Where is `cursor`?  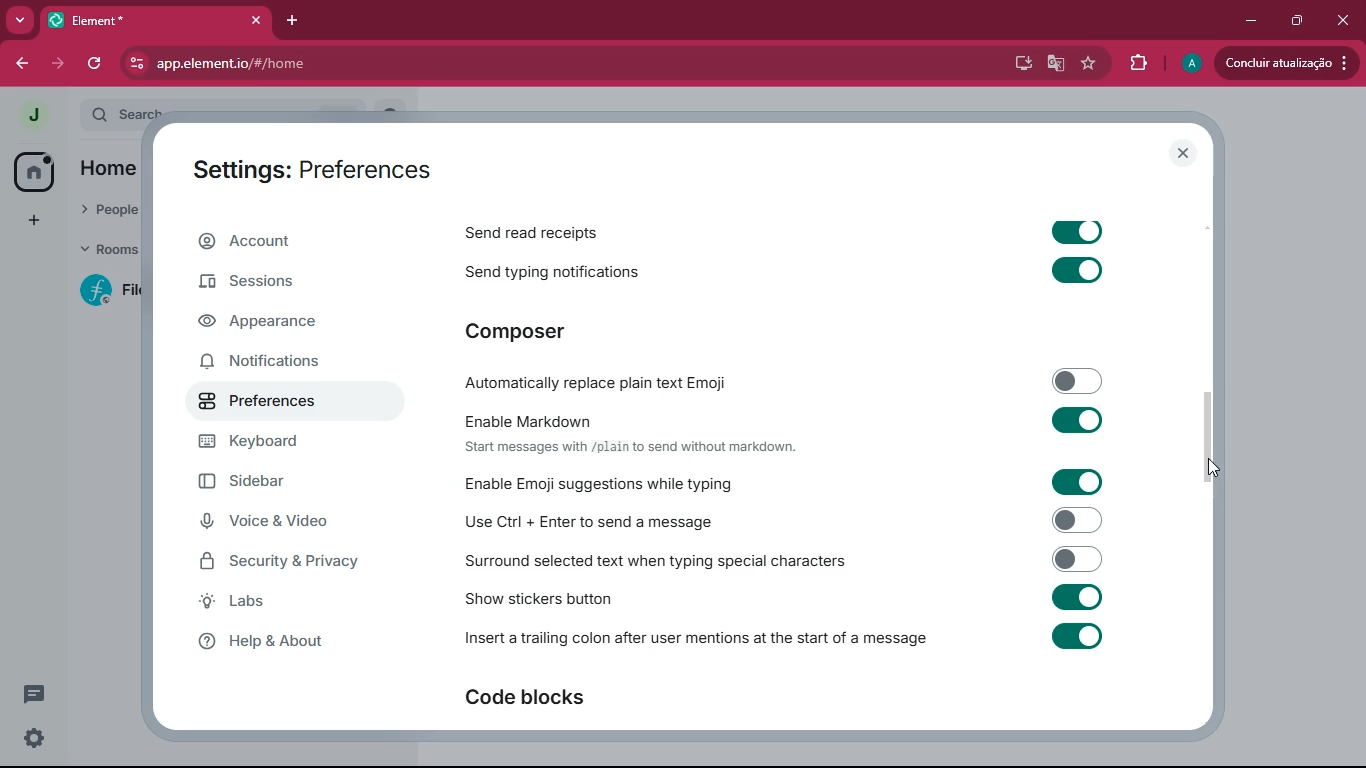
cursor is located at coordinates (1210, 471).